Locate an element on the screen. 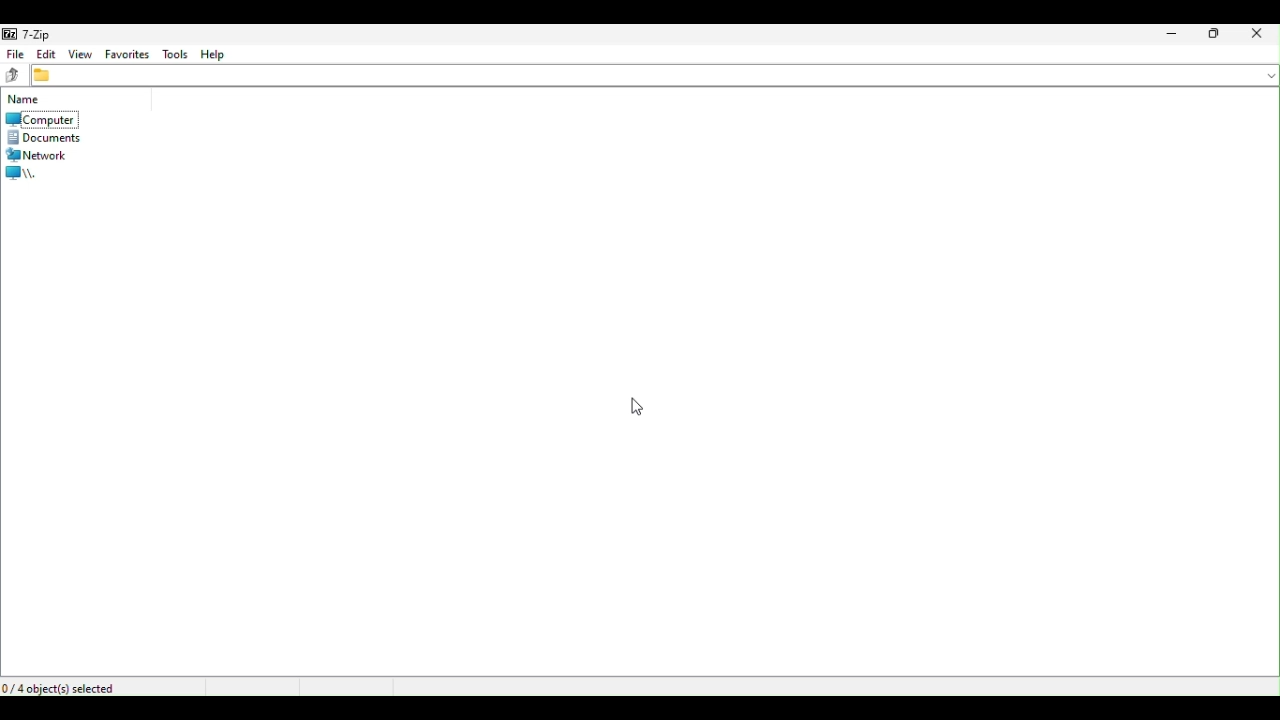 The height and width of the screenshot is (720, 1280). Edit is located at coordinates (47, 53).